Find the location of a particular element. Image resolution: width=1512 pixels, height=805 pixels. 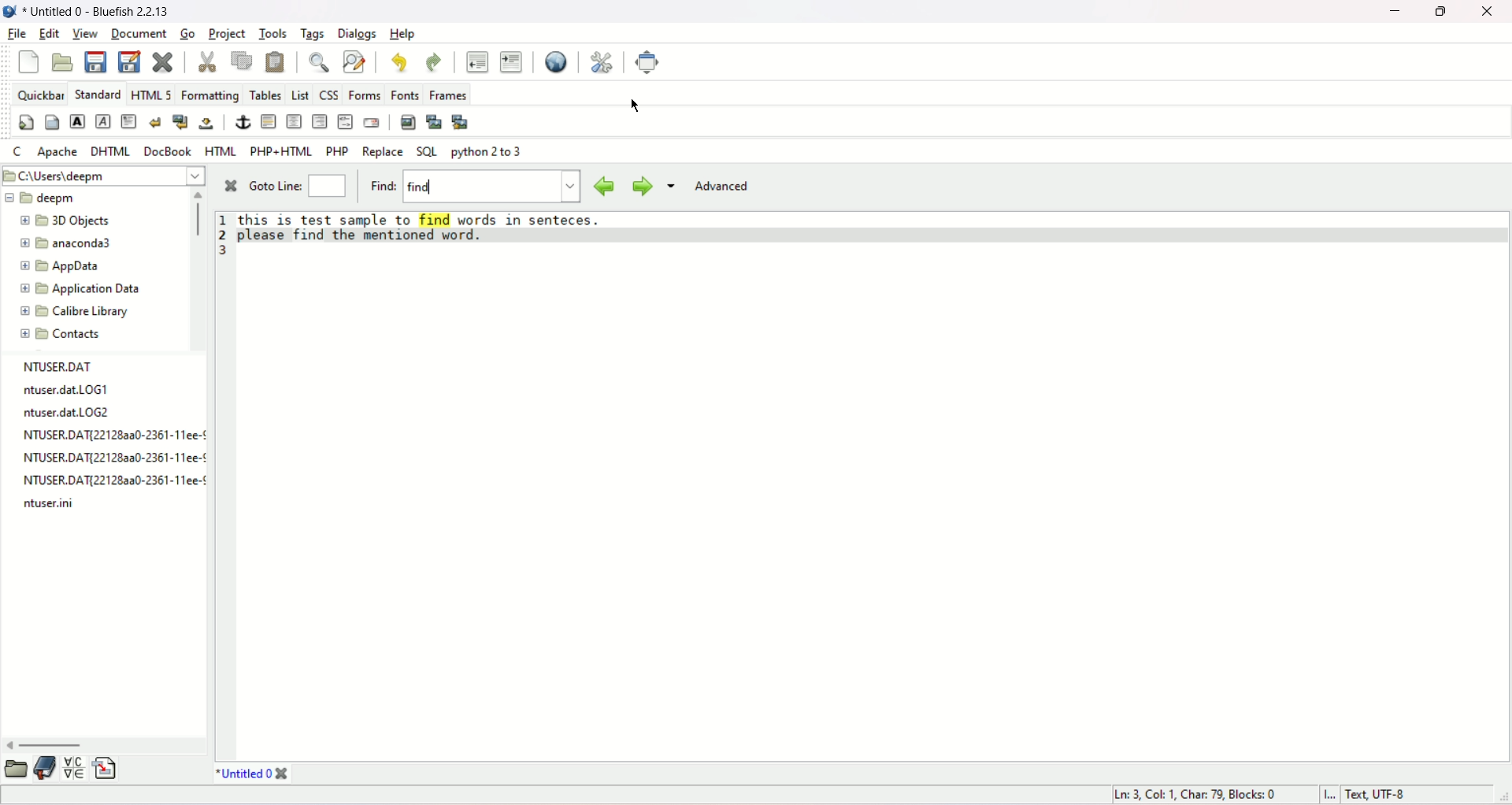

C is located at coordinates (18, 152).